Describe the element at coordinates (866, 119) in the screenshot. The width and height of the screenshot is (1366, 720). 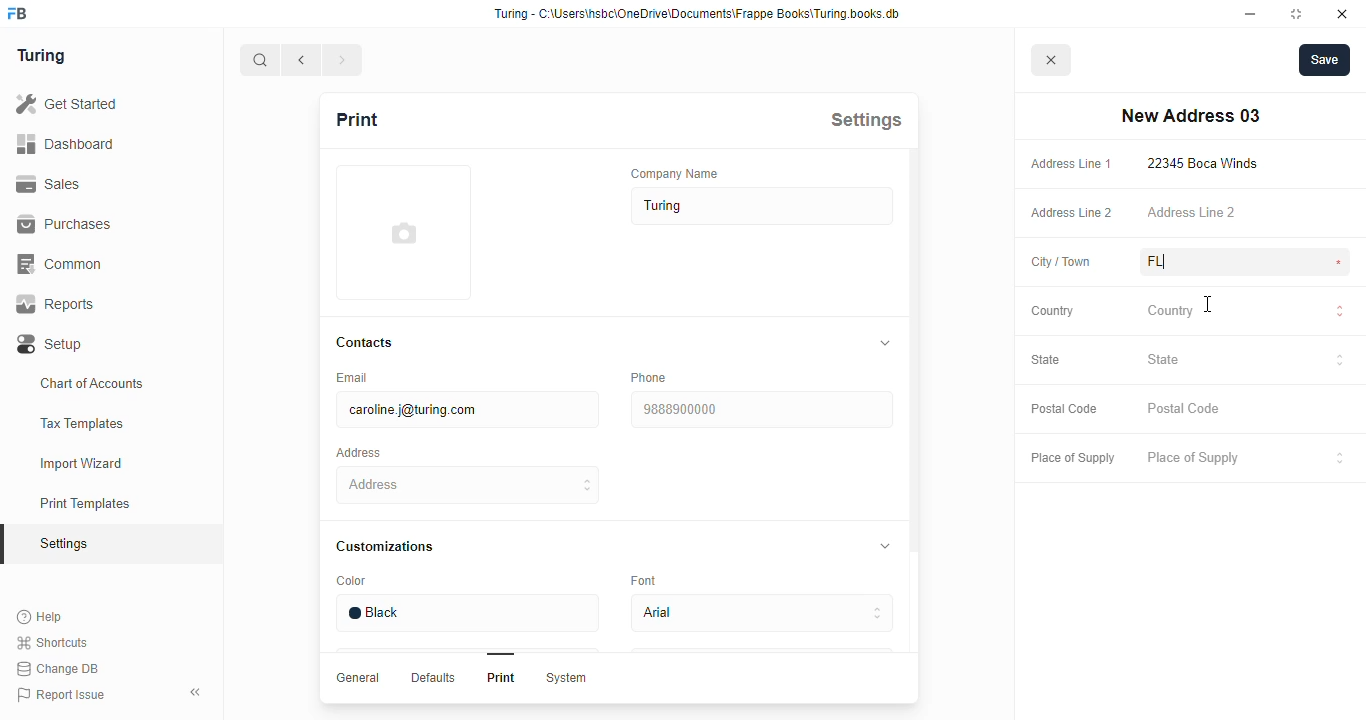
I see `settings` at that location.